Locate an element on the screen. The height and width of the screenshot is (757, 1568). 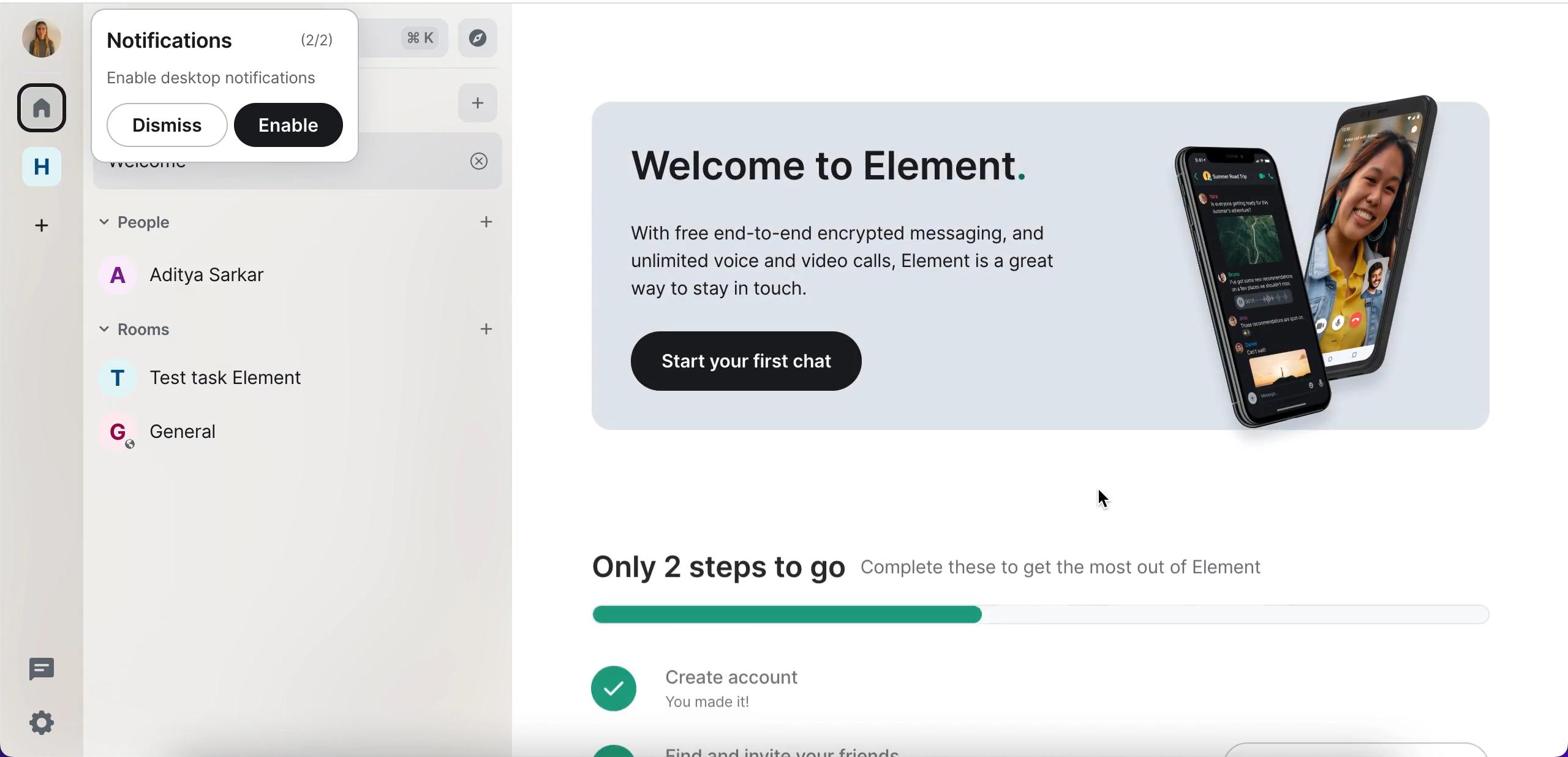
create a space is located at coordinates (48, 220).